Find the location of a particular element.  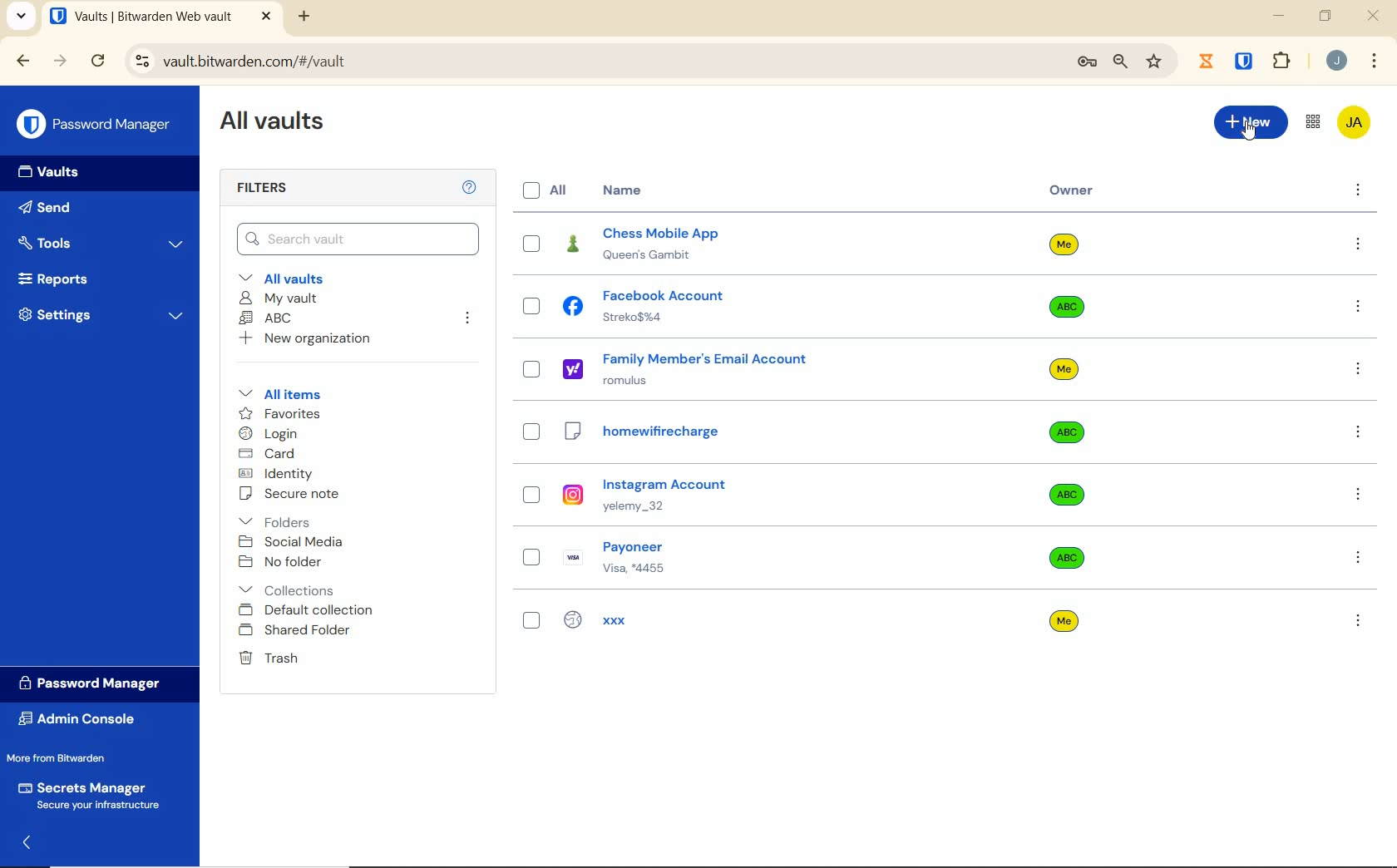

Default collection is located at coordinates (310, 611).